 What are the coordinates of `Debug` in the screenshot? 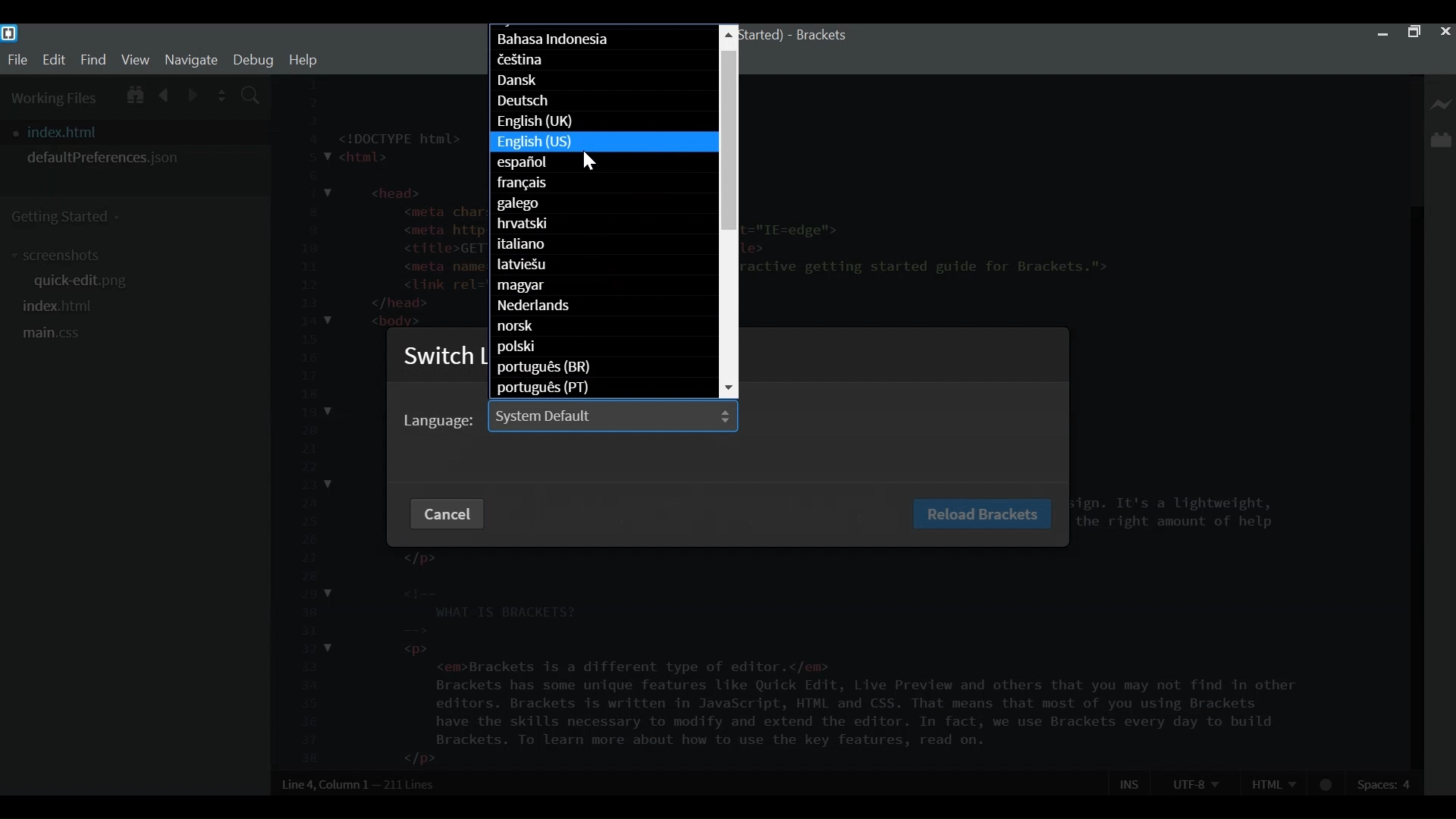 It's located at (253, 60).